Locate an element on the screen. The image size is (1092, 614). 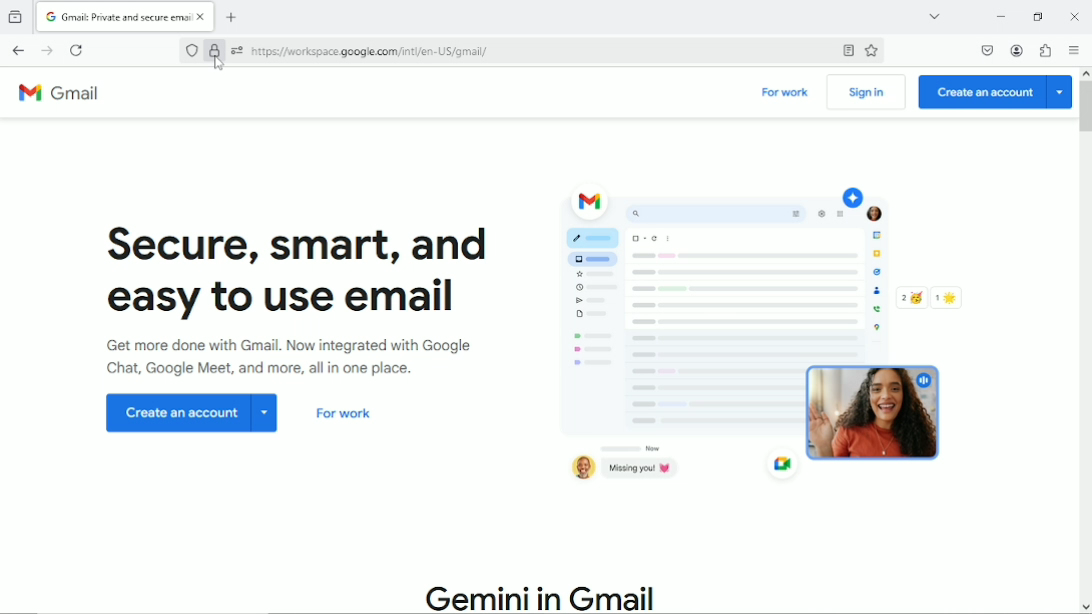
Verified by Google Trust Services is located at coordinates (215, 52).